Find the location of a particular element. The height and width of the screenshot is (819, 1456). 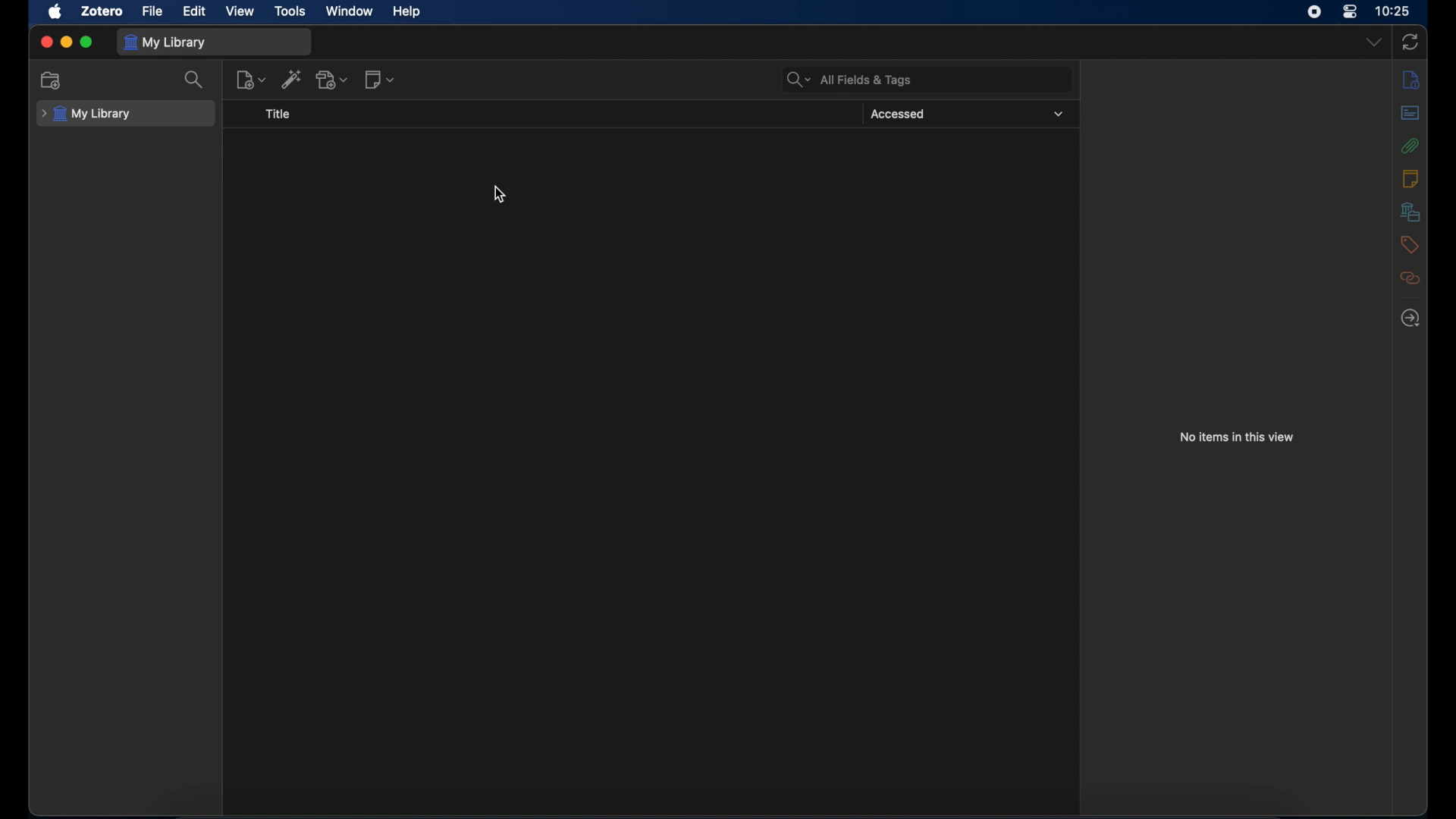

control center is located at coordinates (1348, 11).